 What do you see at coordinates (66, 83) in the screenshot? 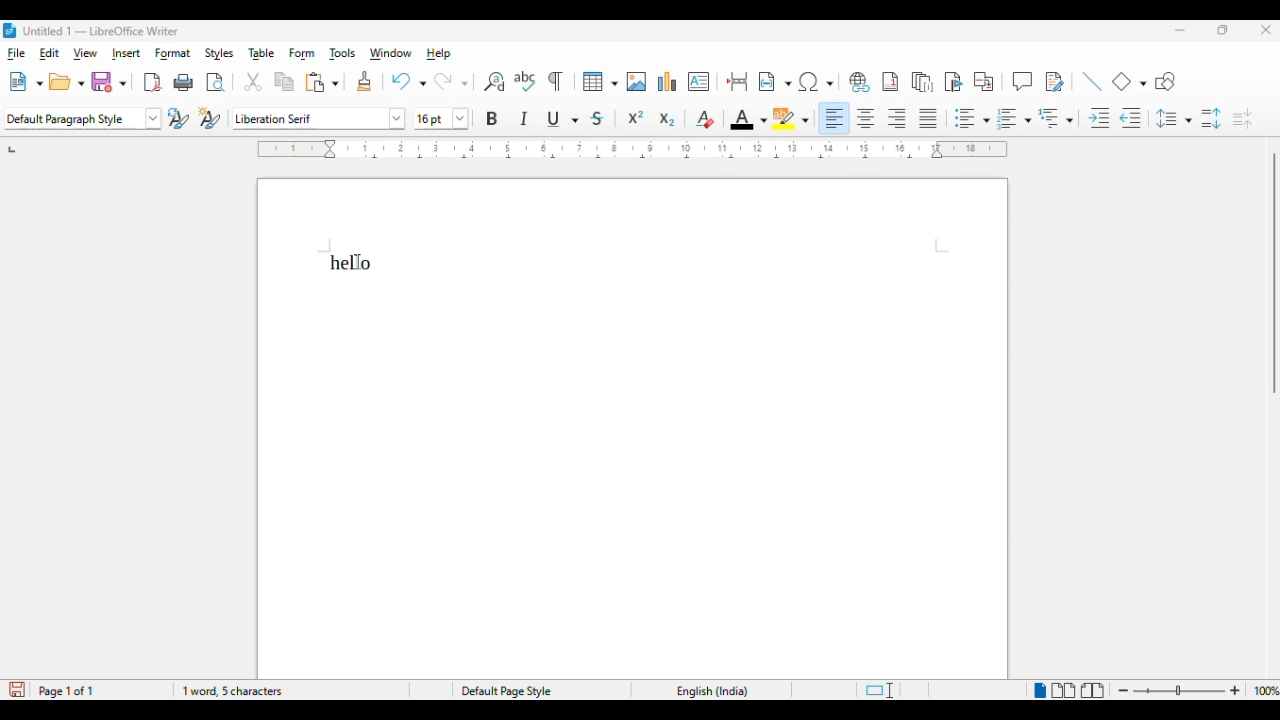
I see `open` at bounding box center [66, 83].